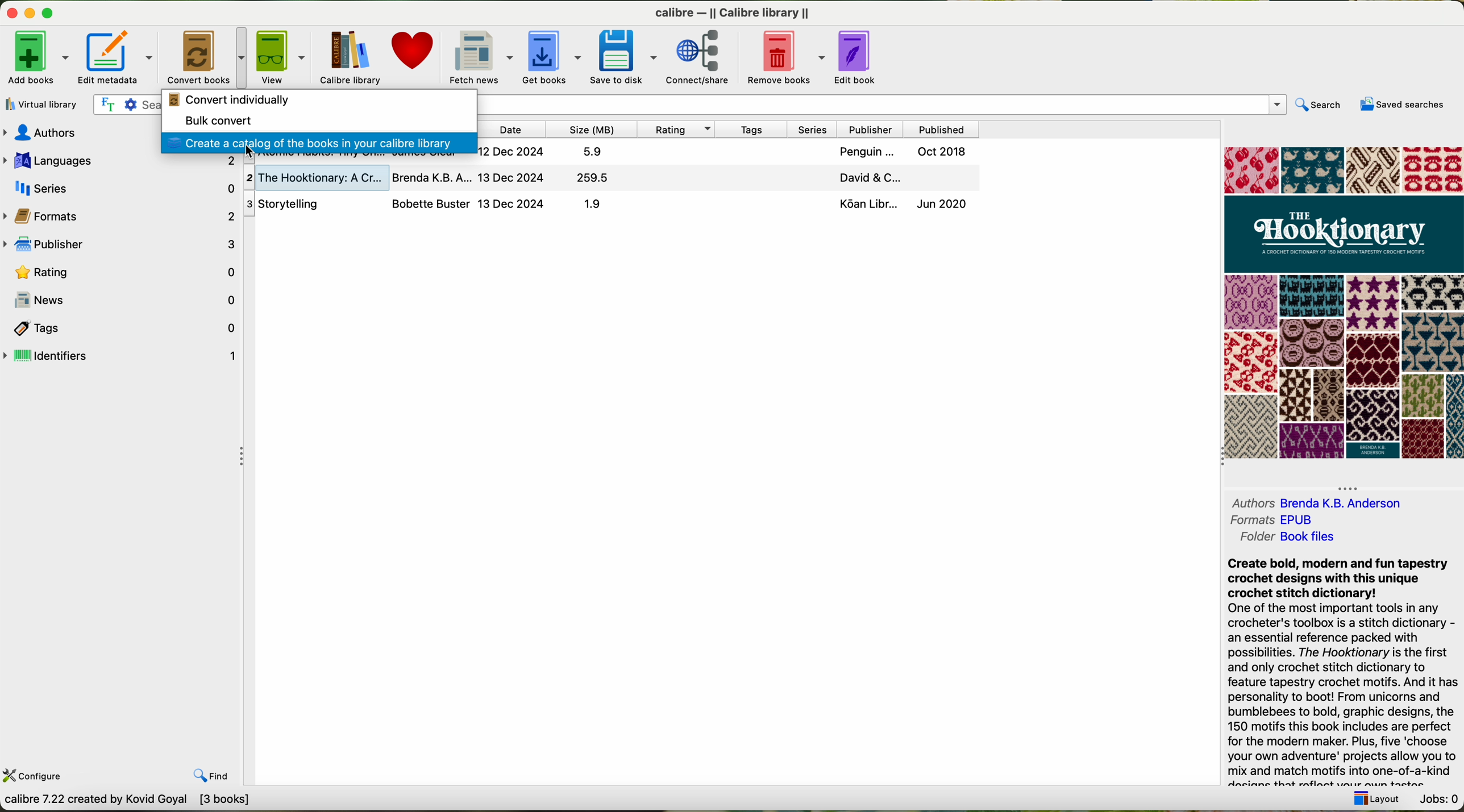  Describe the element at coordinates (78, 134) in the screenshot. I see `authors` at that location.